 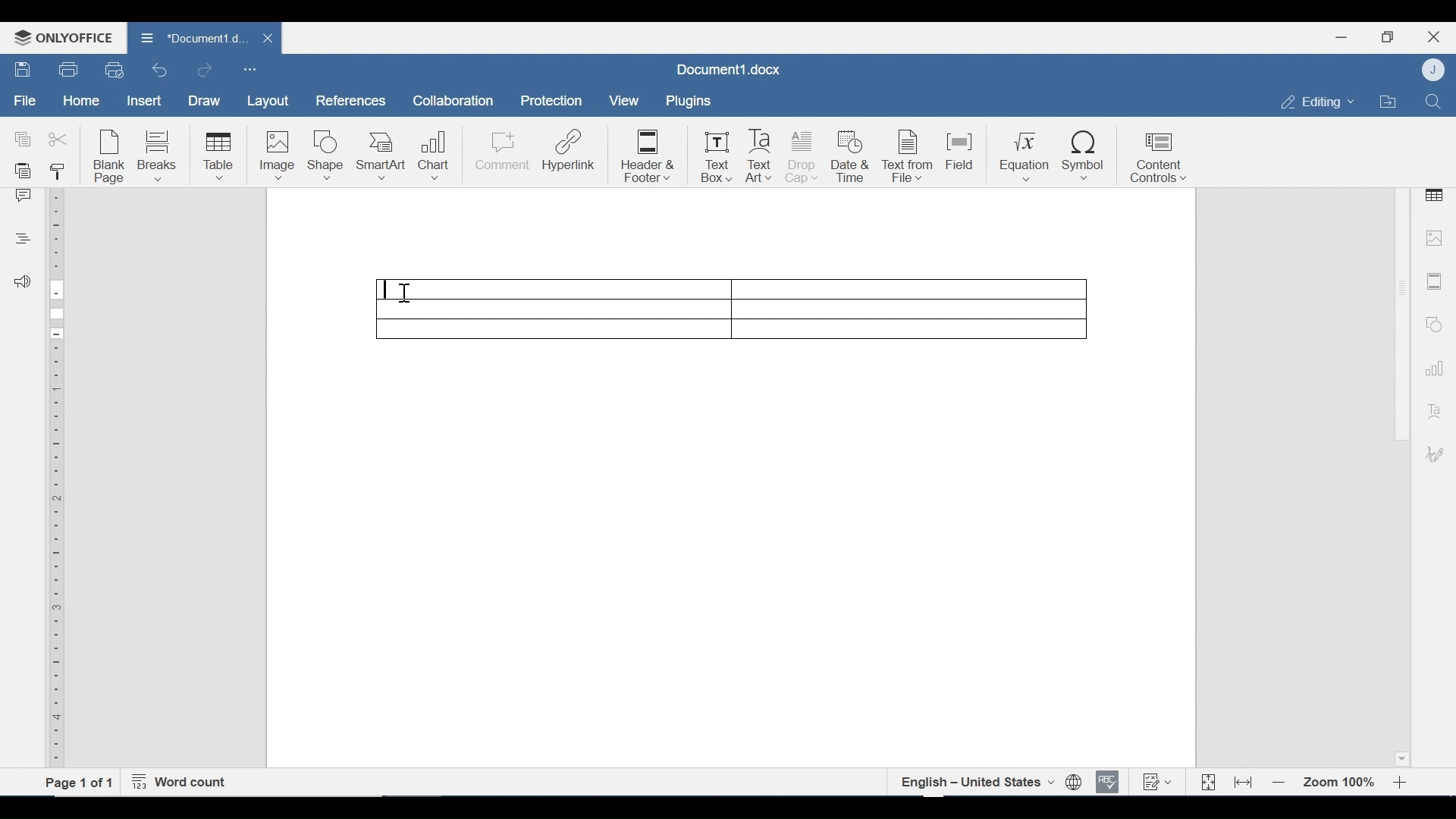 I want to click on Paste, so click(x=24, y=172).